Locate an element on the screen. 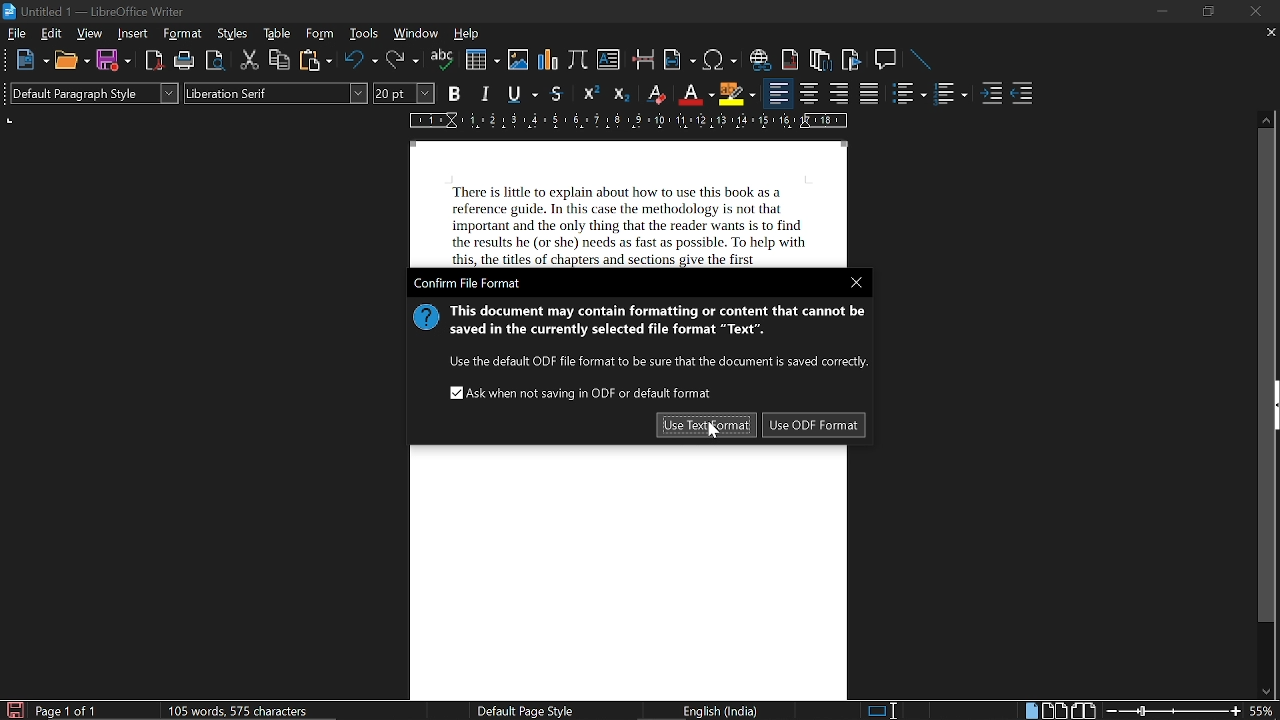 This screenshot has height=720, width=1280. eraser is located at coordinates (654, 93).